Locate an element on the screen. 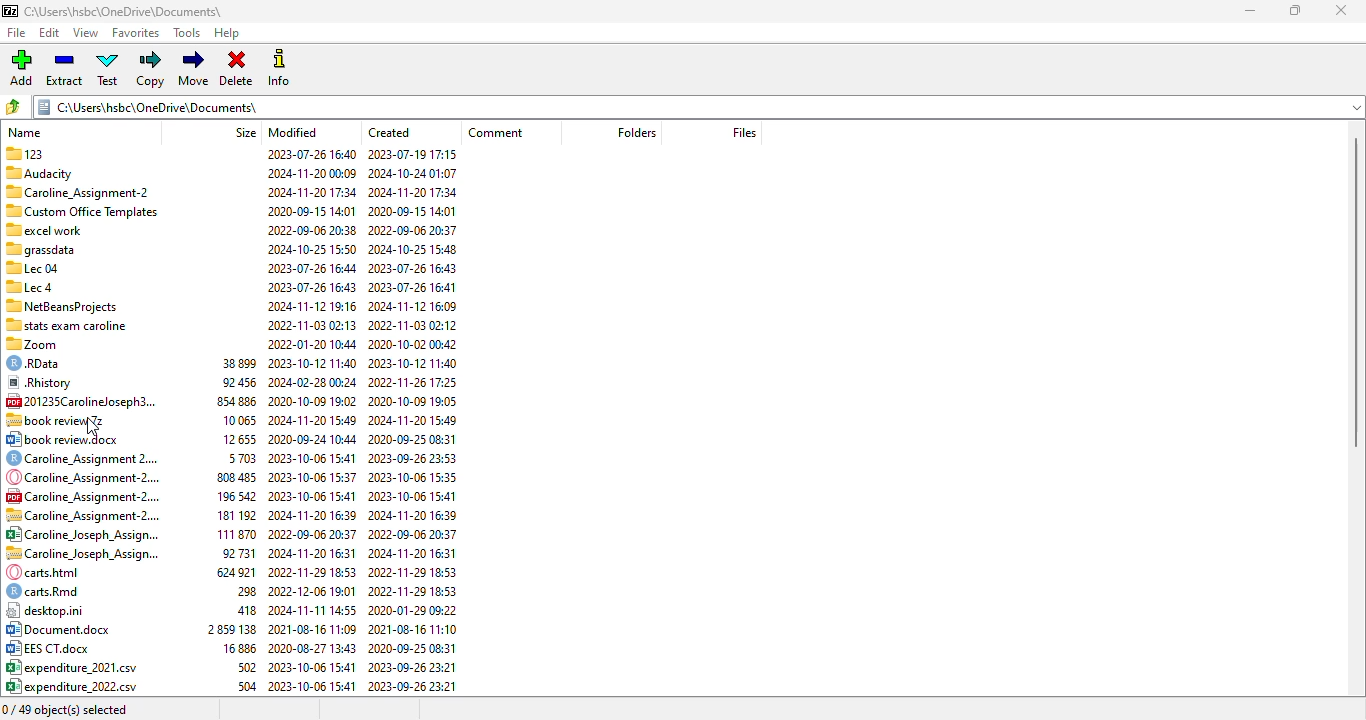  vertical scroll bar is located at coordinates (1356, 292).